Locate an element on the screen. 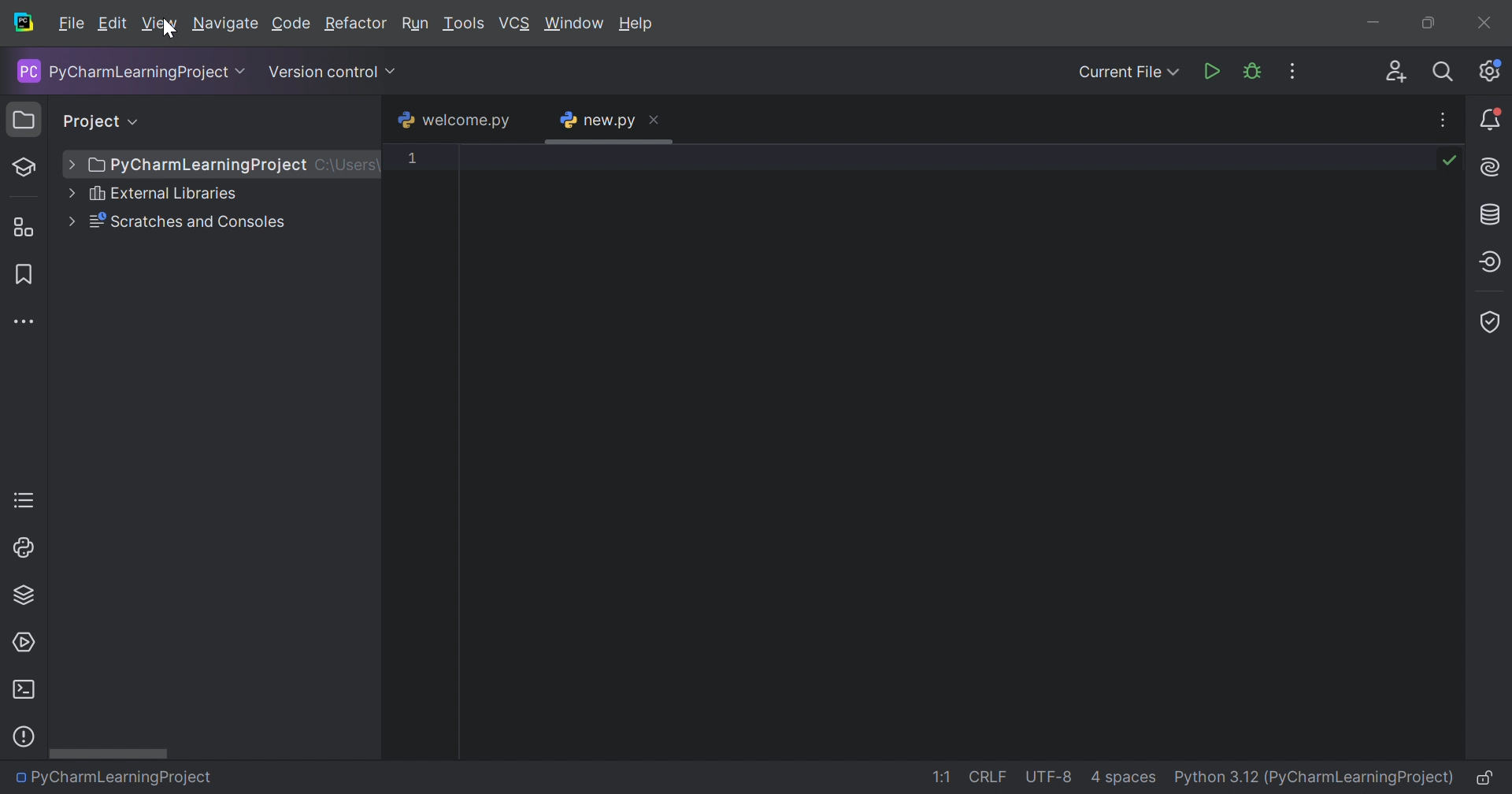  More tool windows is located at coordinates (23, 321).